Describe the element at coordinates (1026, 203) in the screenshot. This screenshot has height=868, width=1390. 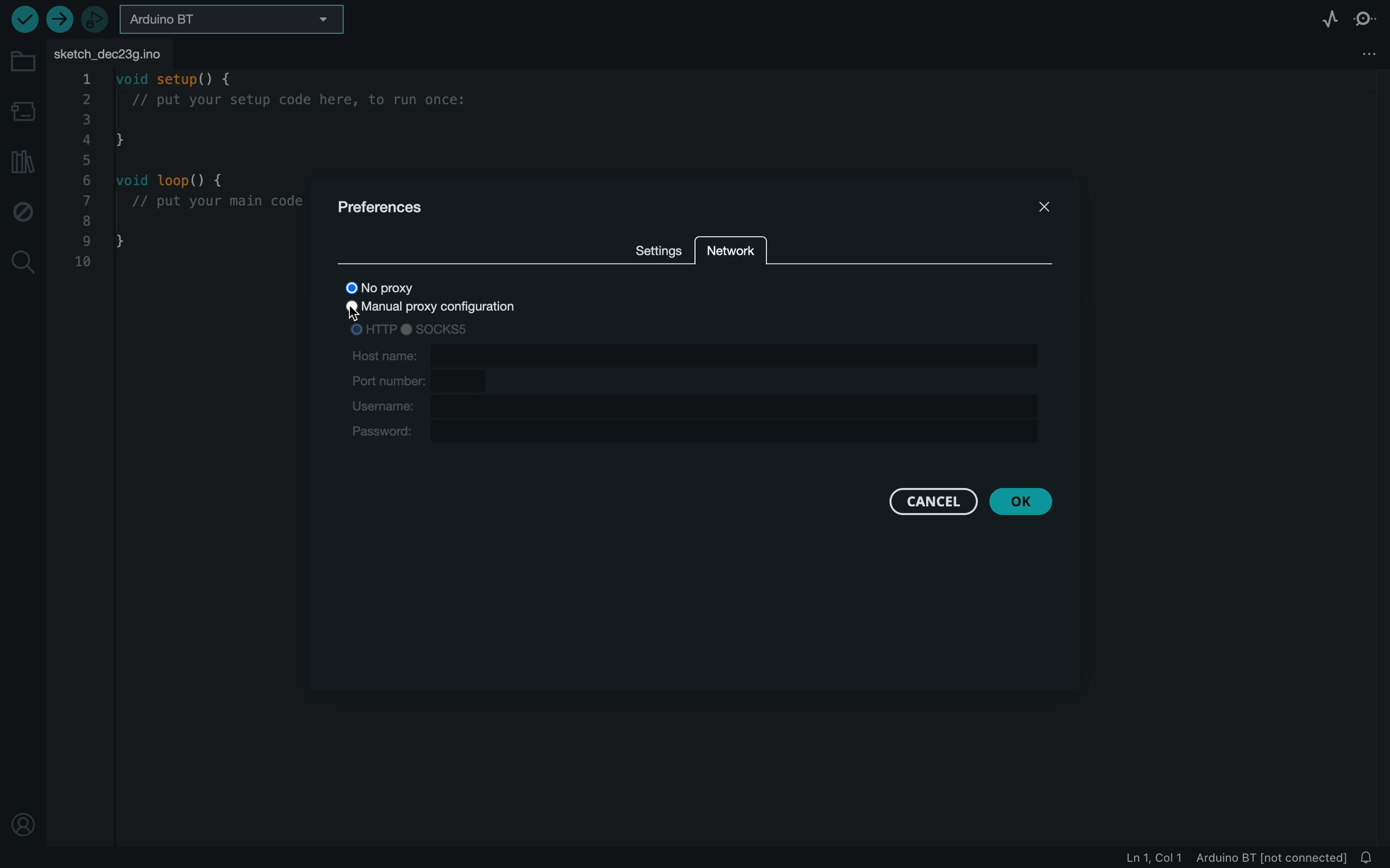
I see `close` at that location.